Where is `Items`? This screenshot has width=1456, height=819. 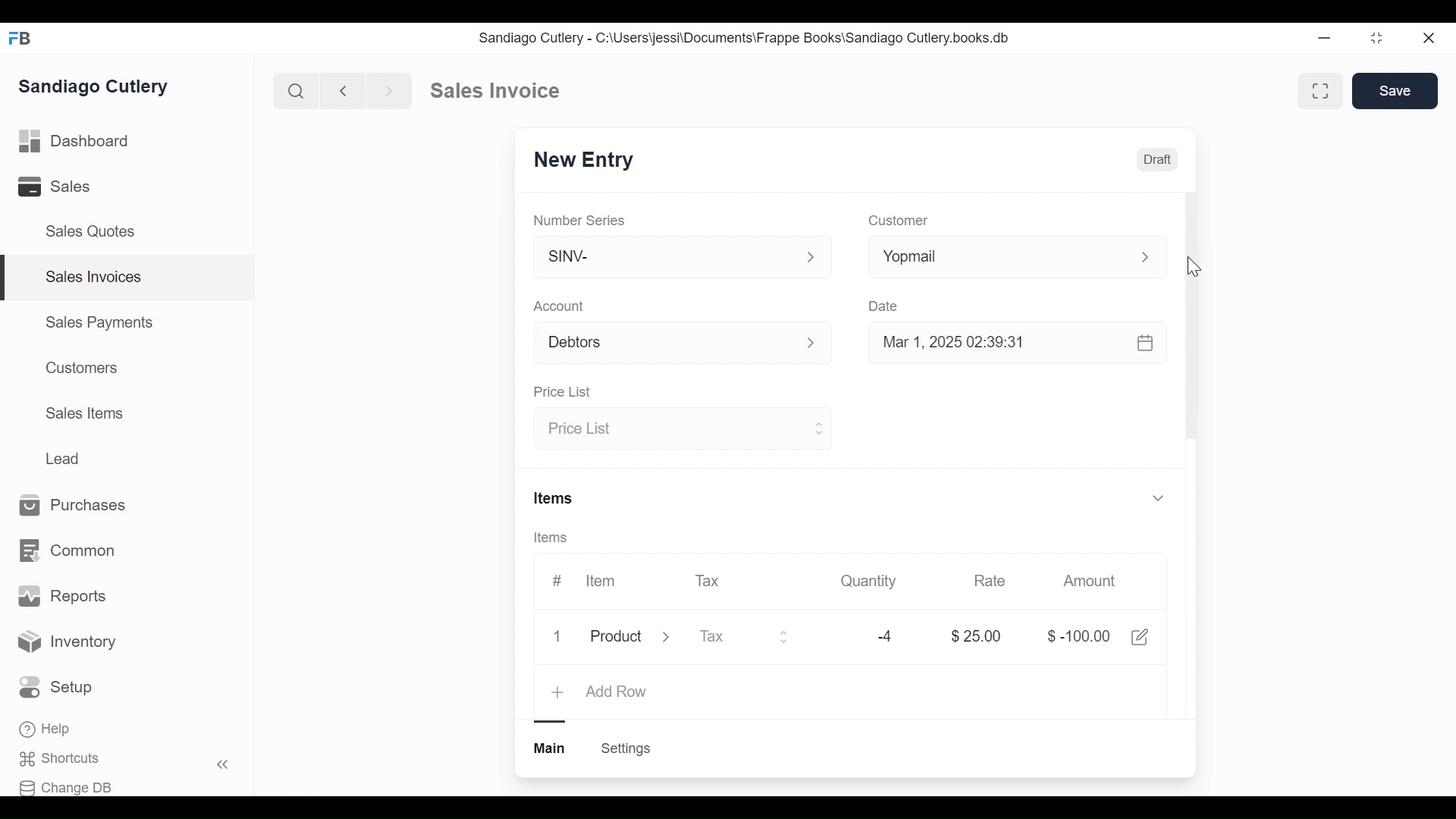 Items is located at coordinates (552, 538).